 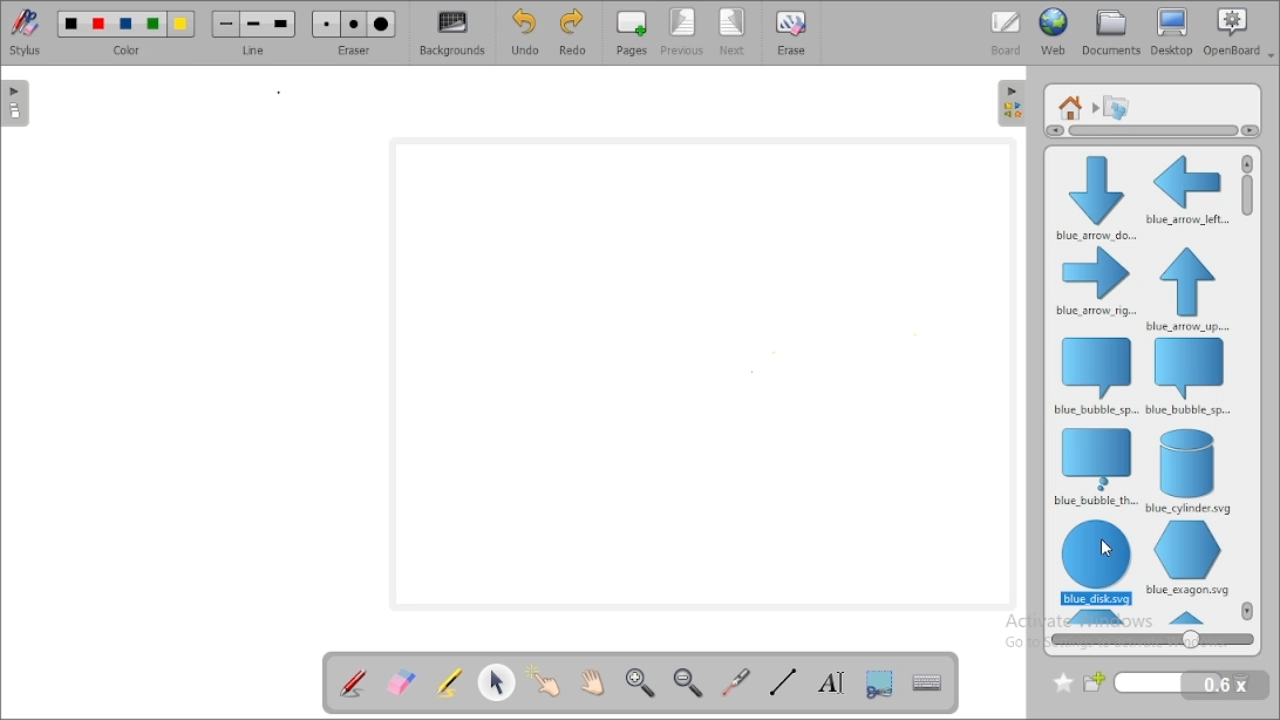 What do you see at coordinates (593, 680) in the screenshot?
I see `scroll page` at bounding box center [593, 680].